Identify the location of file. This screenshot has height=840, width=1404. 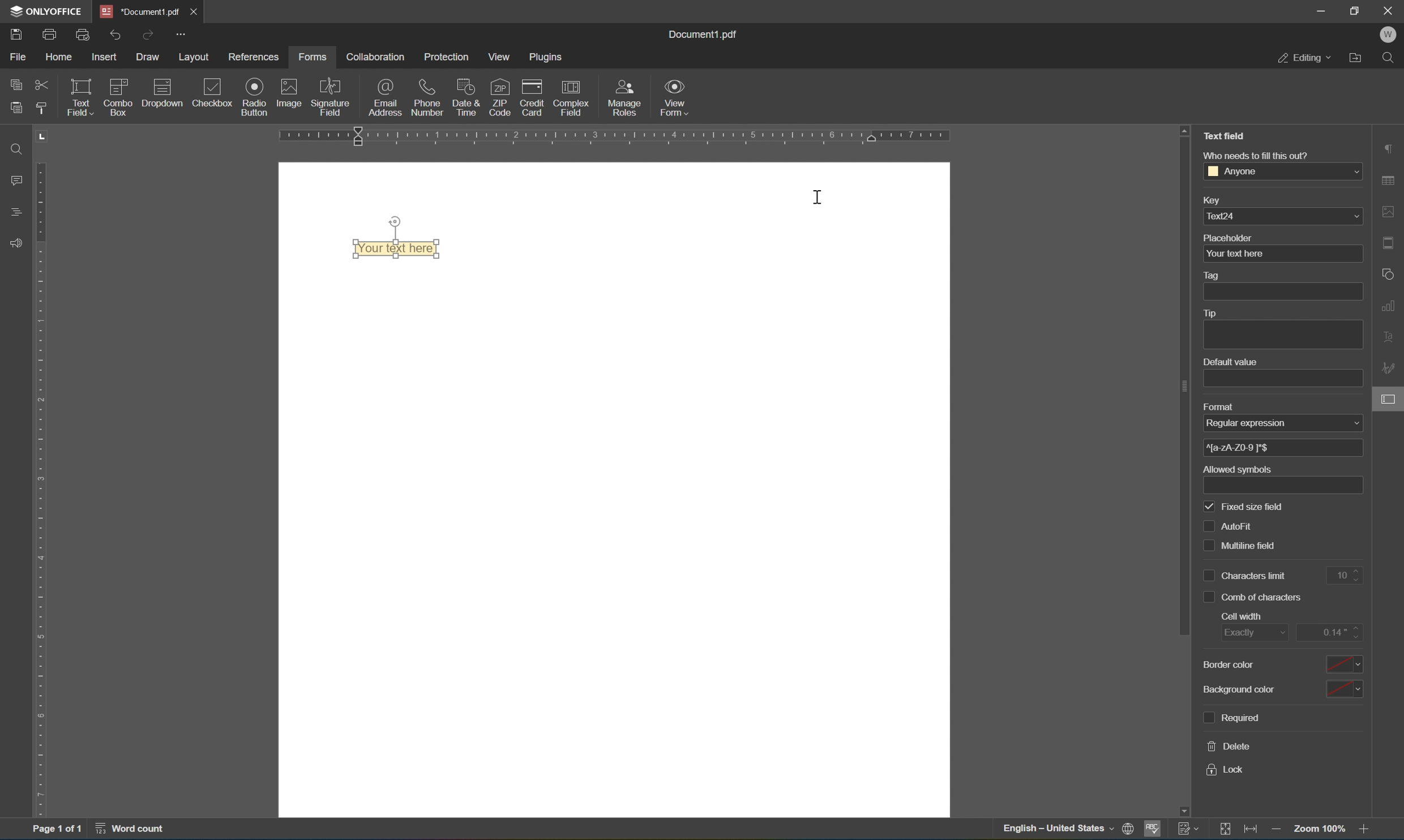
(18, 56).